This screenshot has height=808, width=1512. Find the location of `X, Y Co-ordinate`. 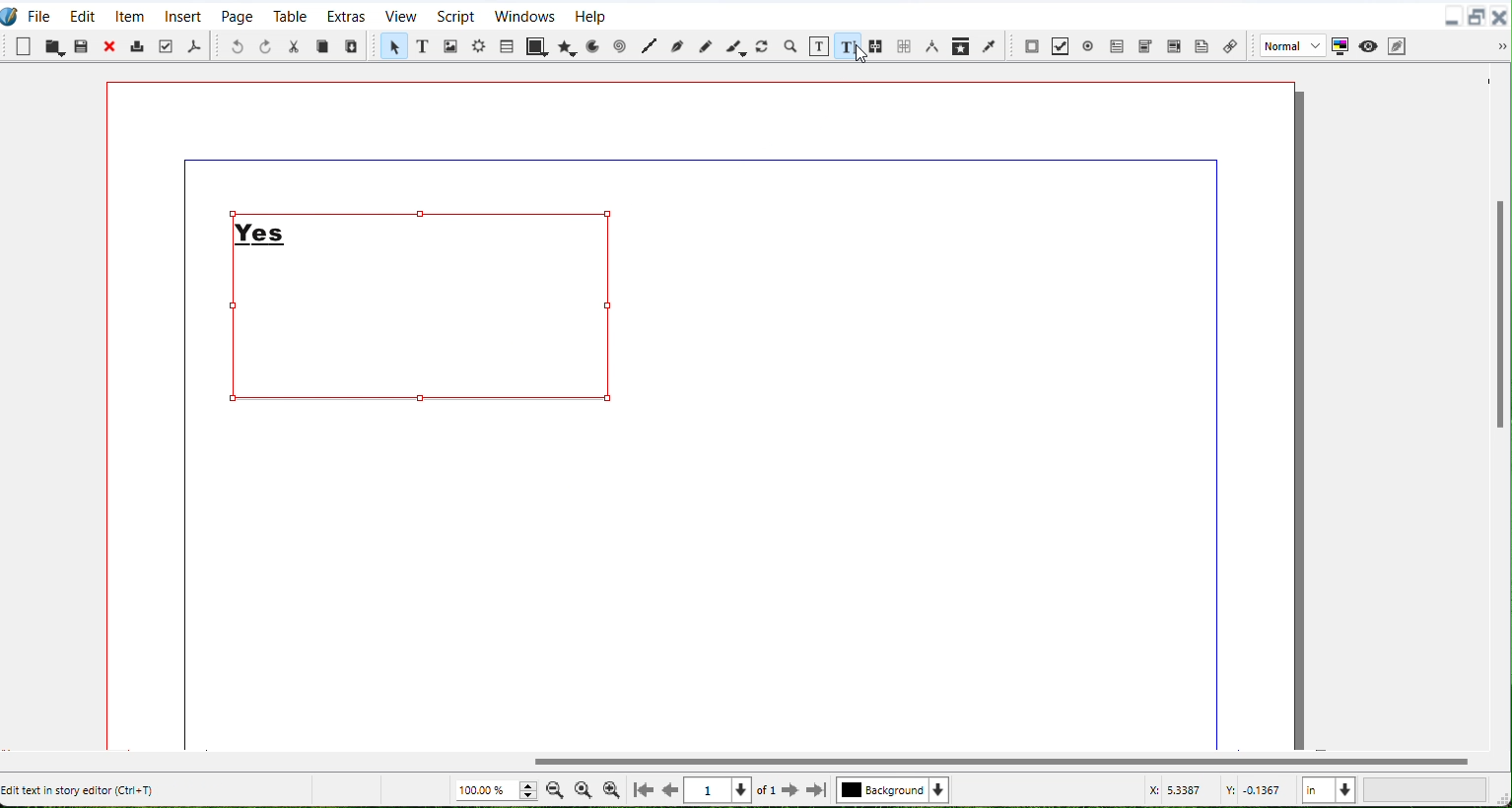

X, Y Co-ordinate is located at coordinates (1218, 790).